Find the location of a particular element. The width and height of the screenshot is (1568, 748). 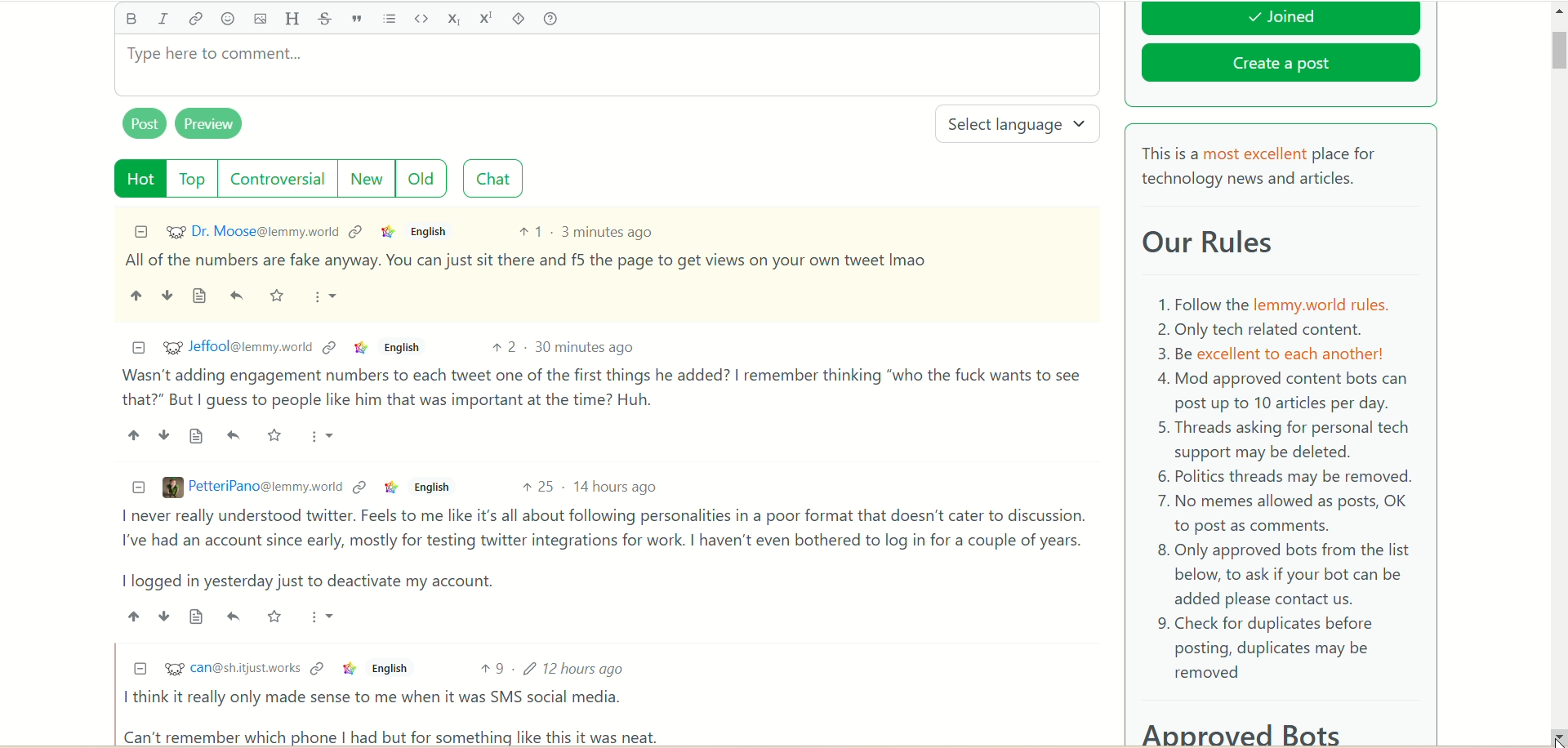

Link is located at coordinates (361, 348).